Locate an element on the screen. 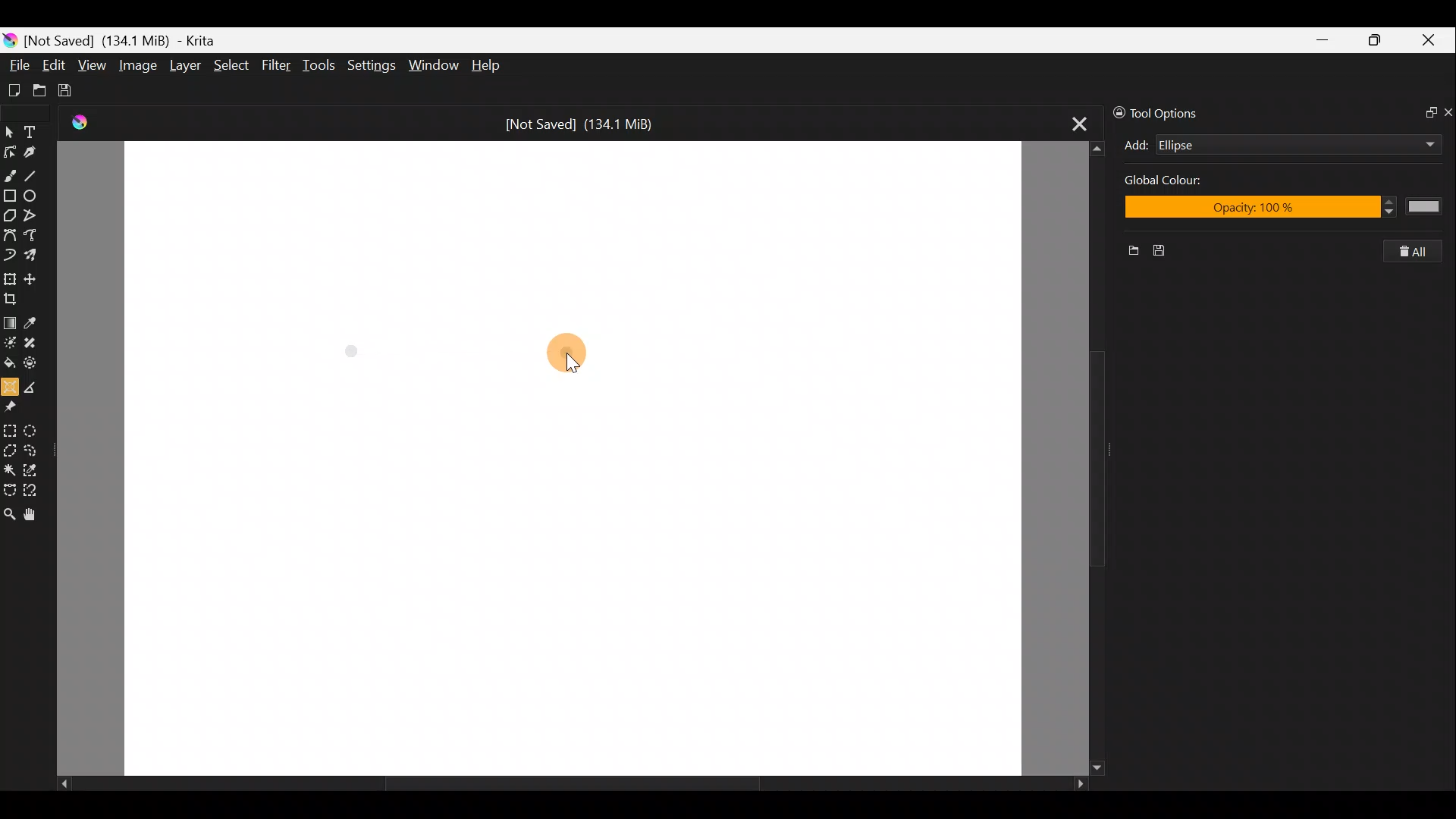 The height and width of the screenshot is (819, 1456). Dynamic brush tool is located at coordinates (9, 256).